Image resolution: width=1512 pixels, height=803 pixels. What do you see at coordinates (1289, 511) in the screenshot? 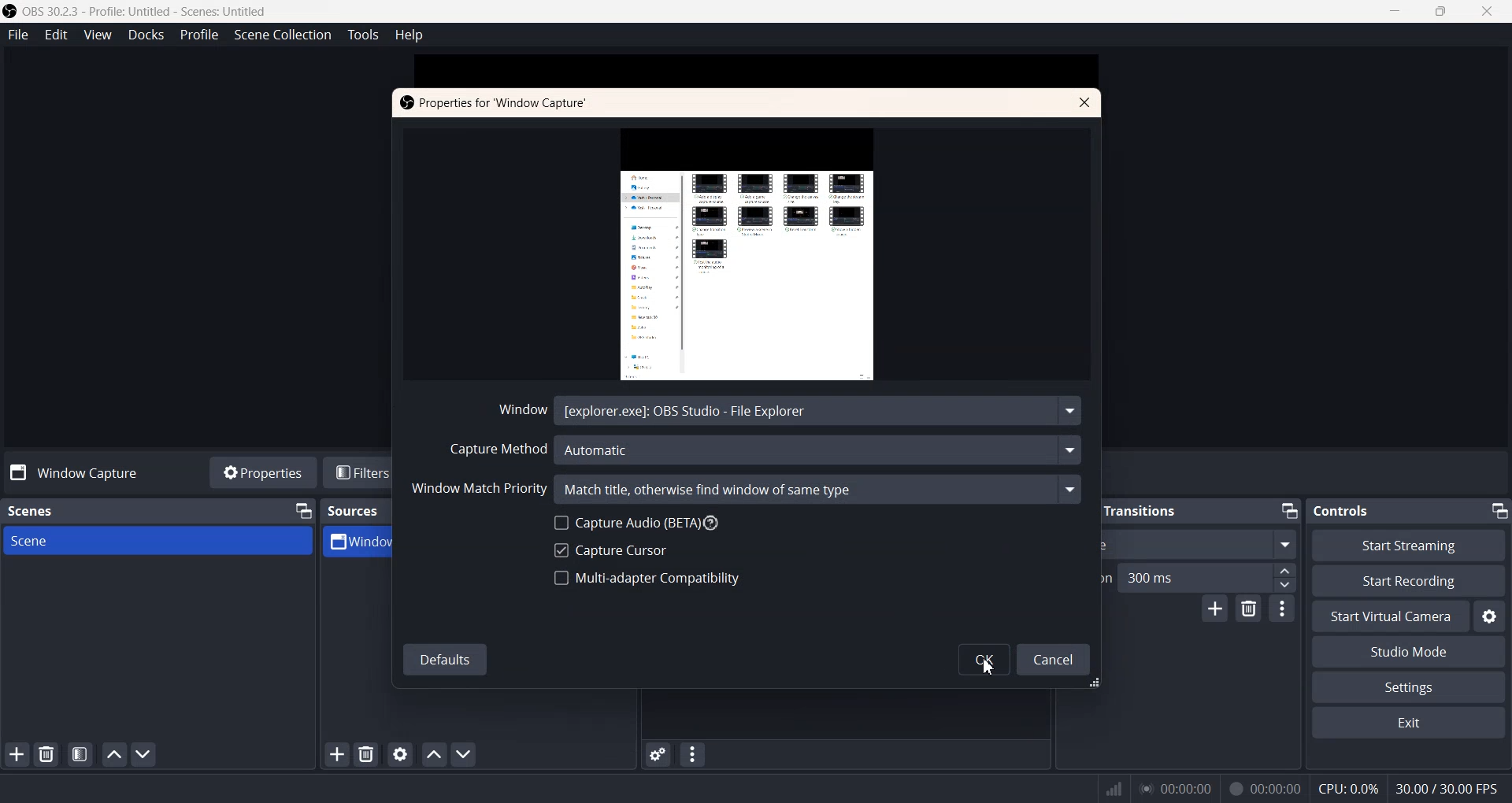
I see `Minimize` at bounding box center [1289, 511].